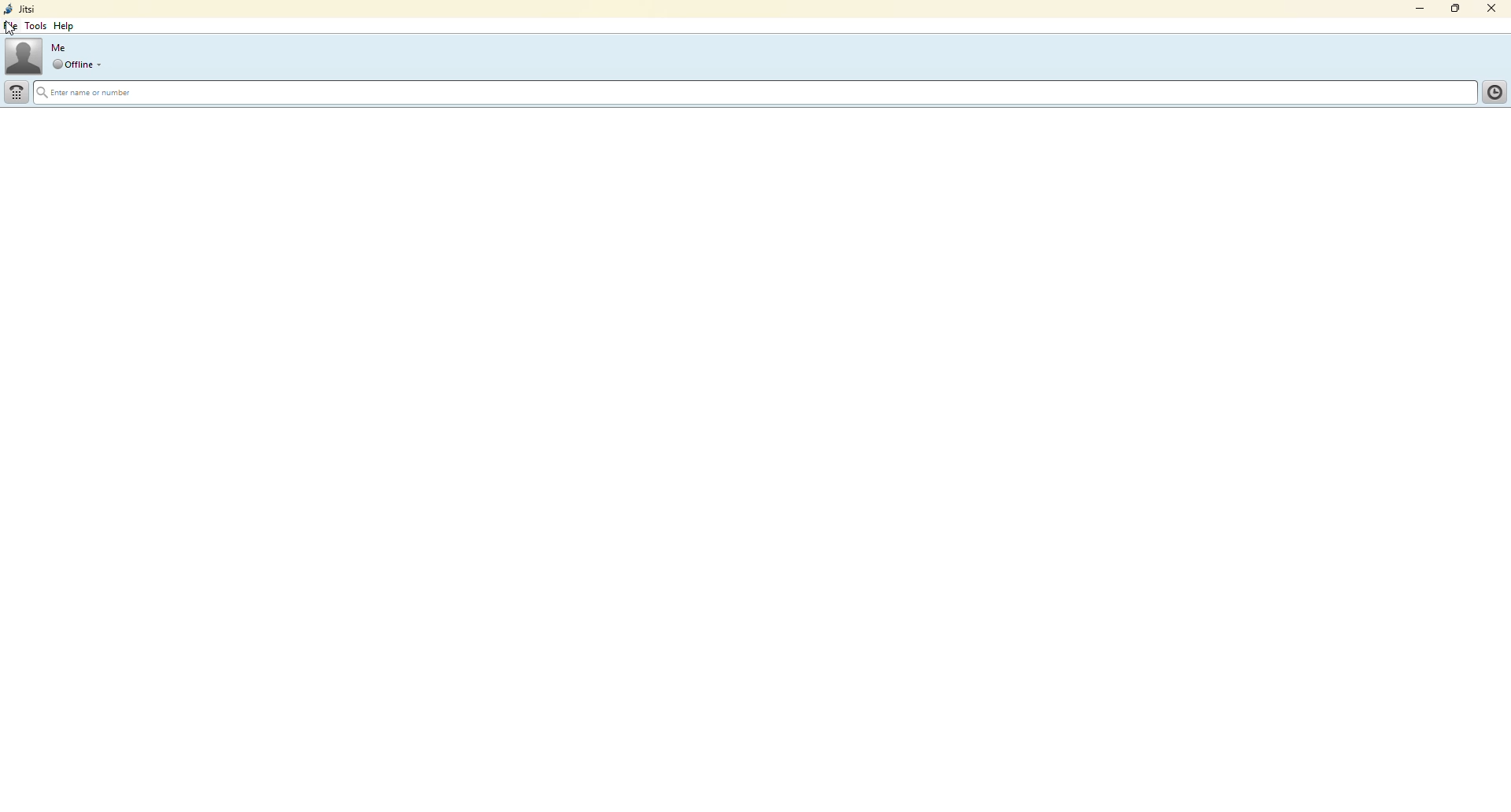 This screenshot has height=812, width=1511. I want to click on jitsi, so click(20, 9).